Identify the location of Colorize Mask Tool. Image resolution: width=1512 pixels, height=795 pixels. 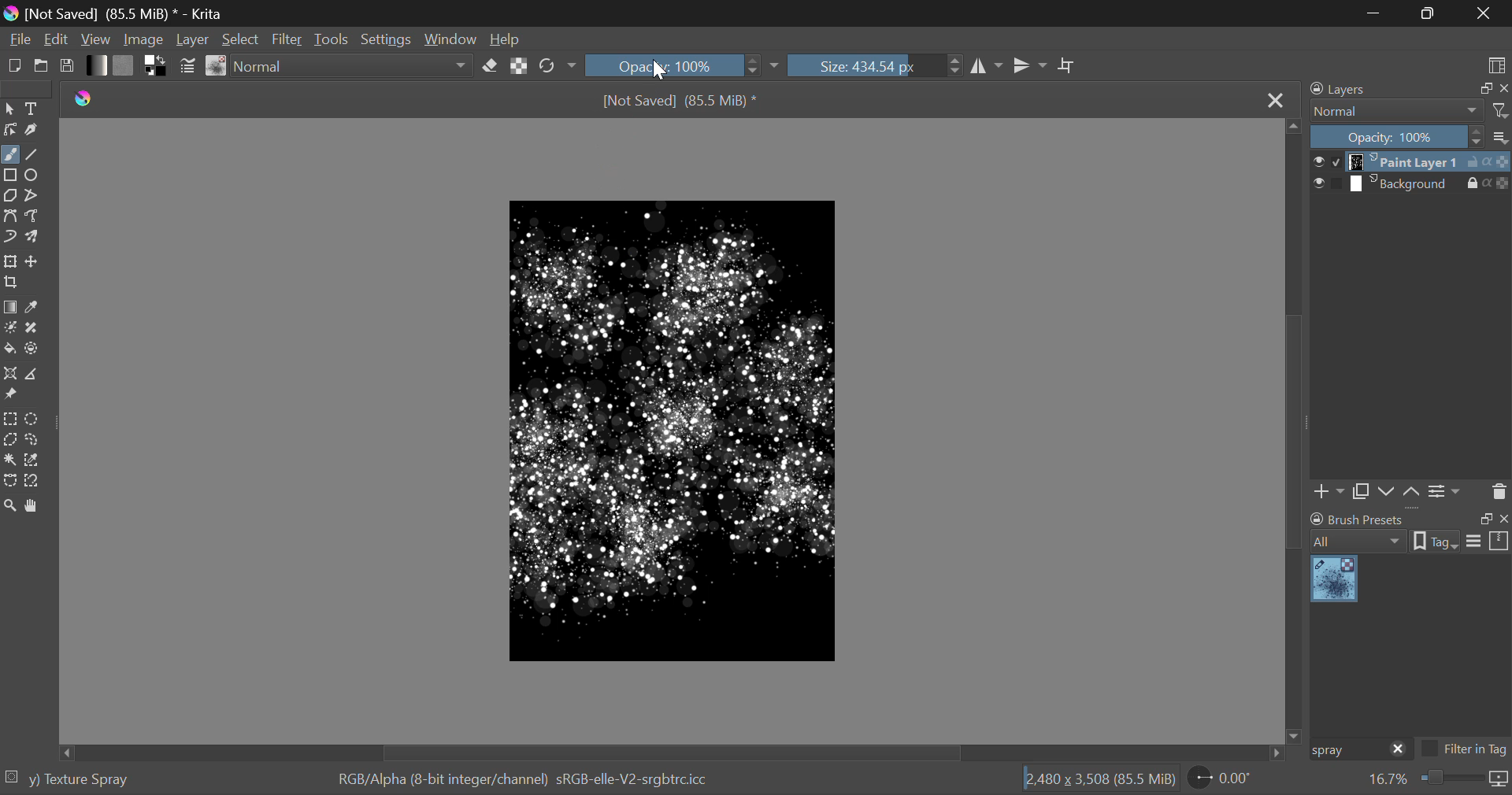
(10, 329).